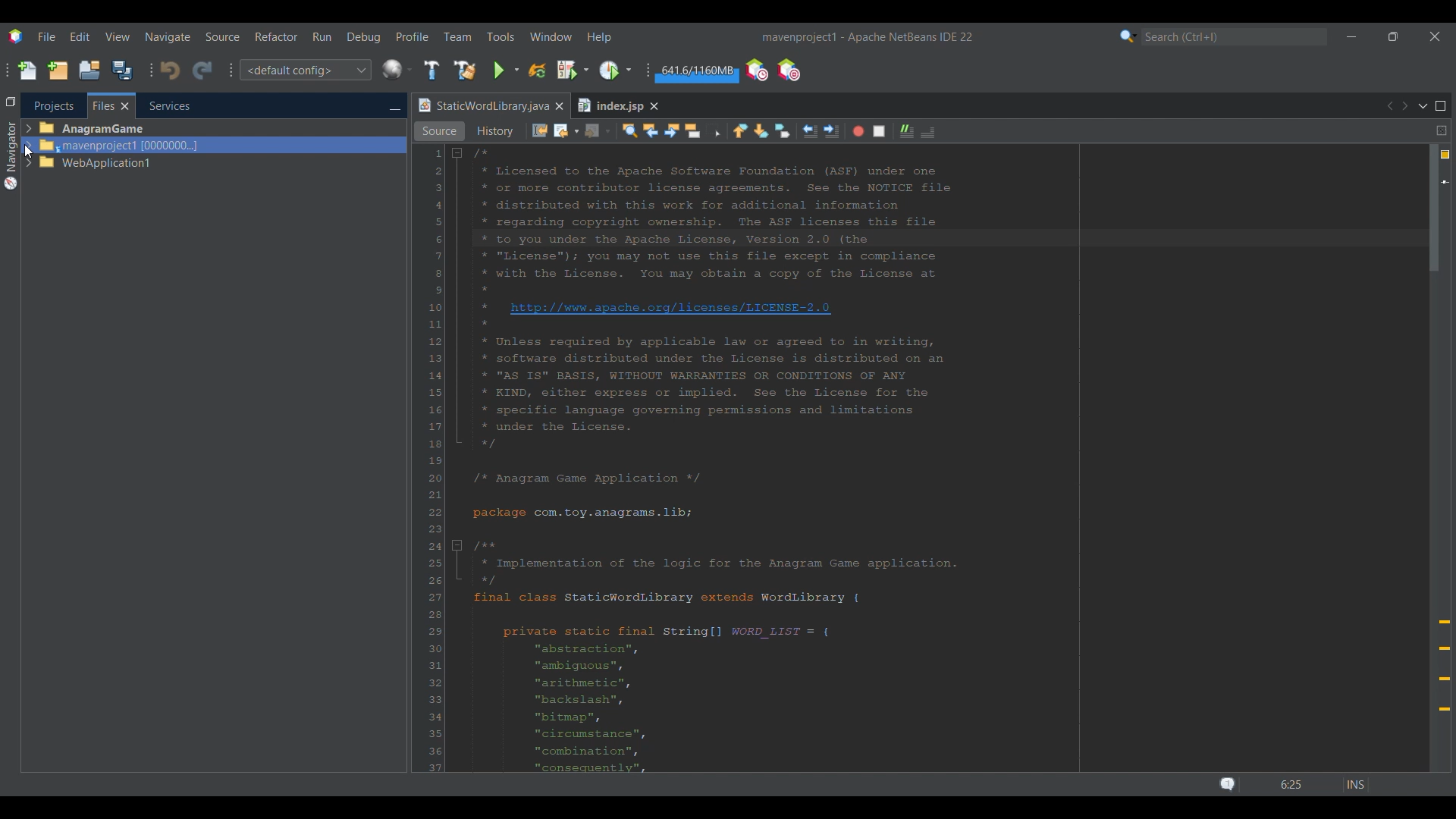 This screenshot has height=819, width=1456. I want to click on Status bar details, so click(1289, 784).